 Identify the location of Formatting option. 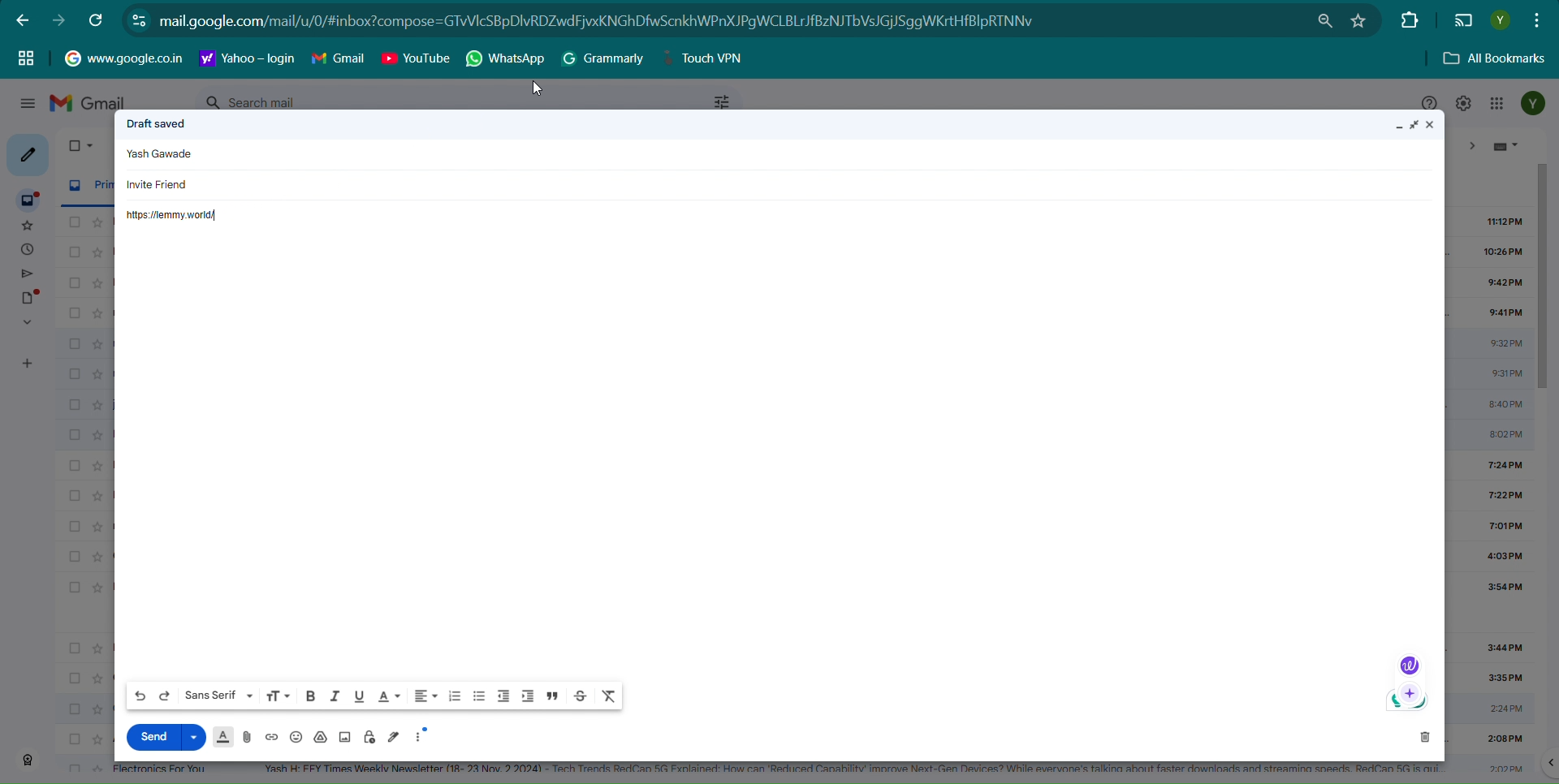
(223, 737).